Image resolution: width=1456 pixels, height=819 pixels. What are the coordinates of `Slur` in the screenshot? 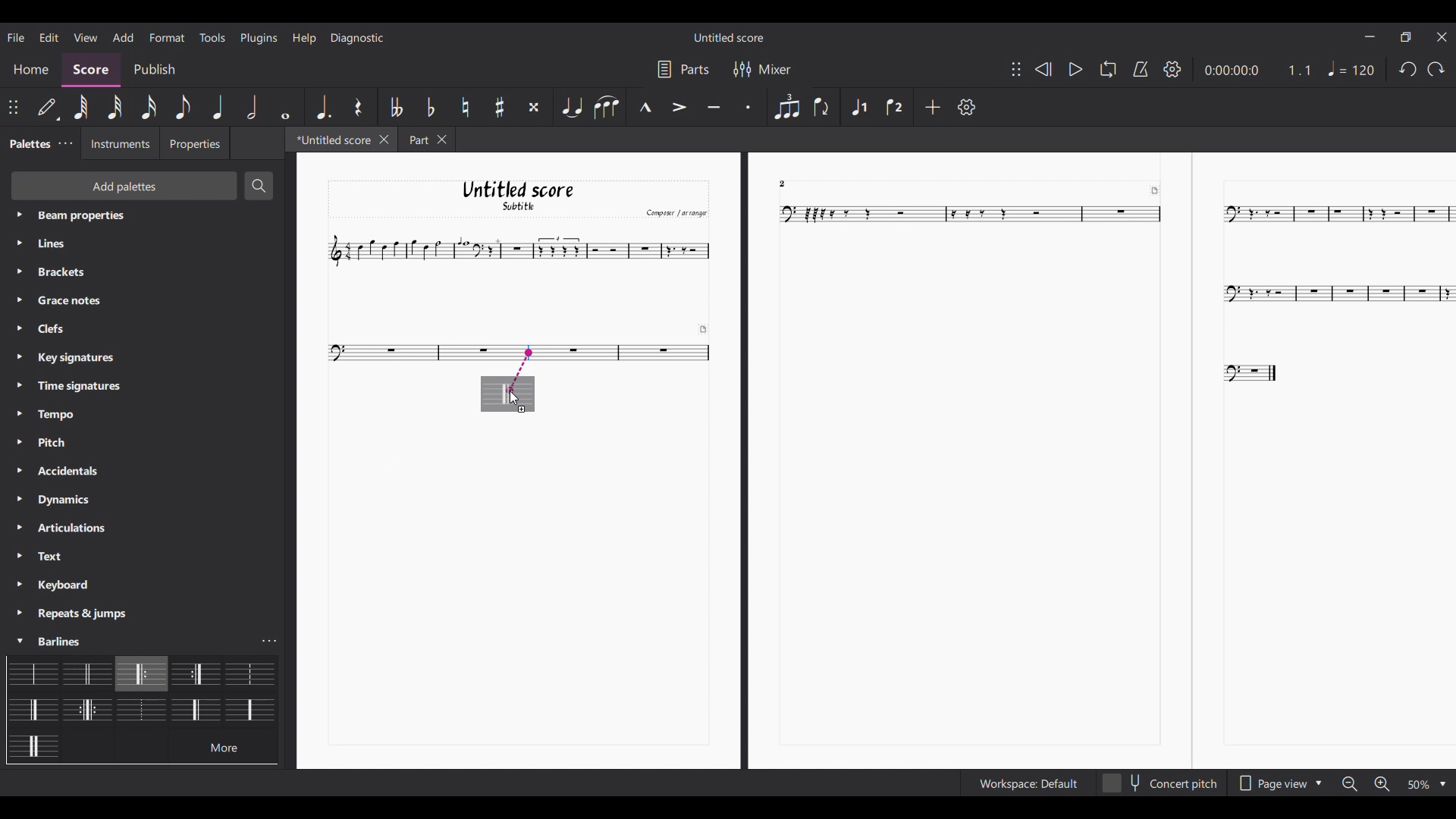 It's located at (607, 106).